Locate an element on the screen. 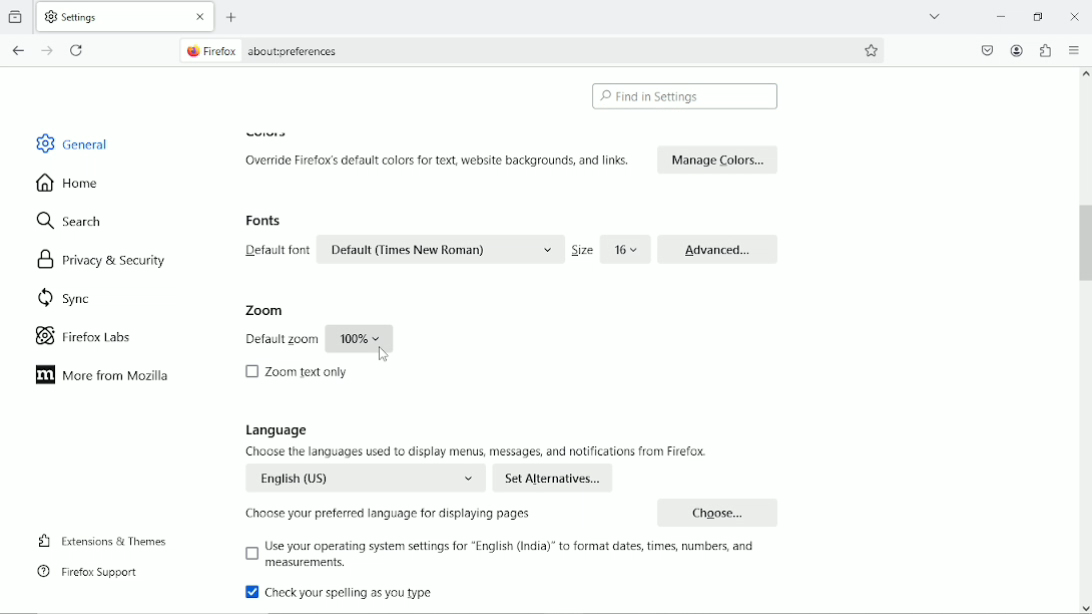 The width and height of the screenshot is (1092, 614). Language is located at coordinates (276, 430).